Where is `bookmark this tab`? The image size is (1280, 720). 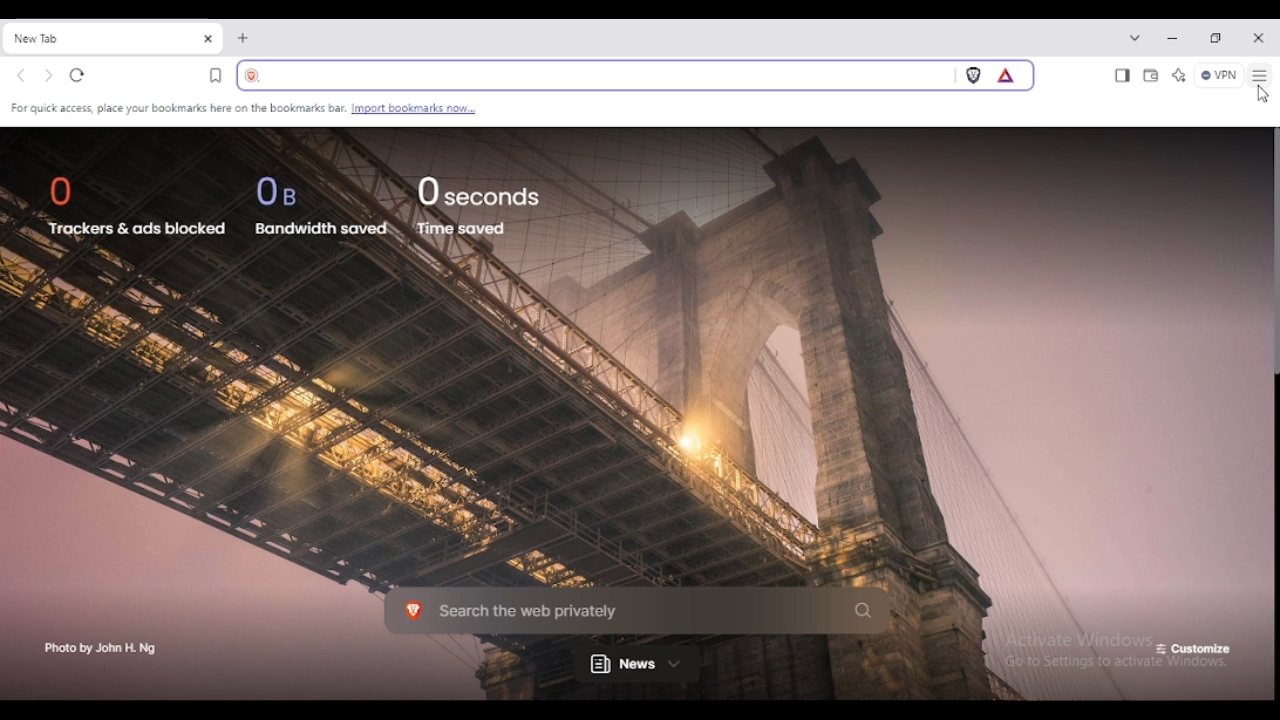
bookmark this tab is located at coordinates (216, 75).